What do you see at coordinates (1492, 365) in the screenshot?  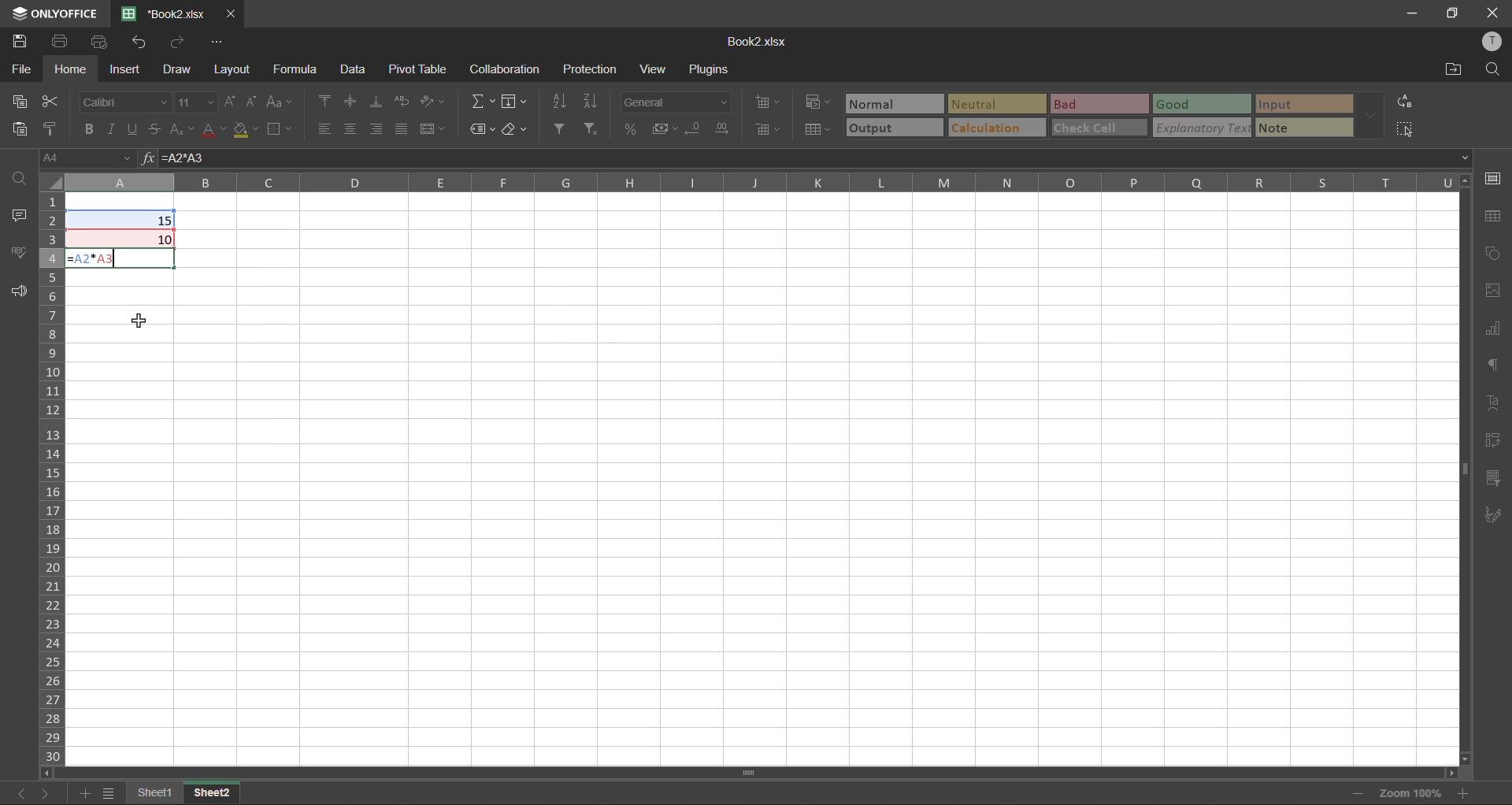 I see `paragraph` at bounding box center [1492, 365].